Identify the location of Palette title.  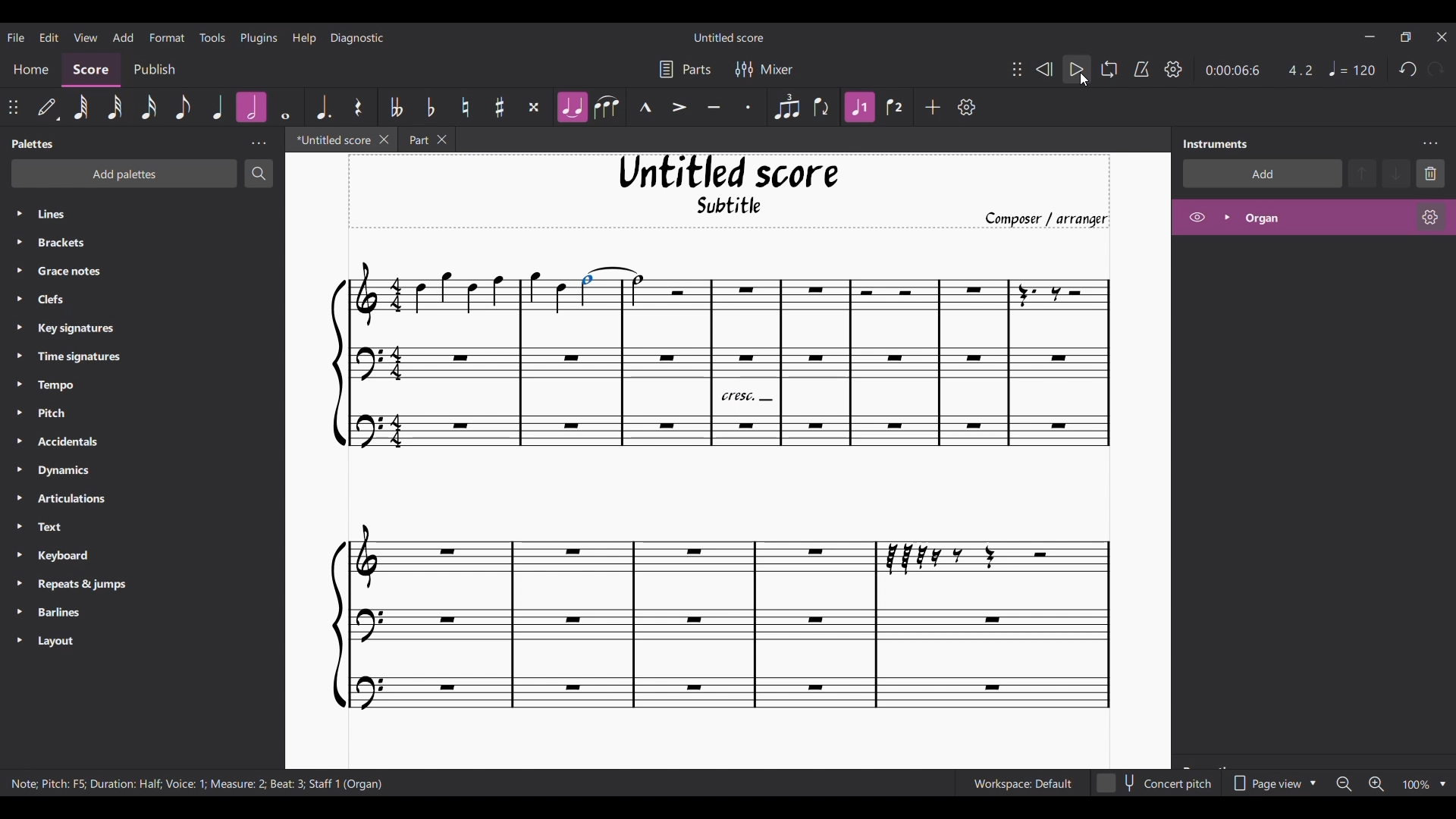
(33, 143).